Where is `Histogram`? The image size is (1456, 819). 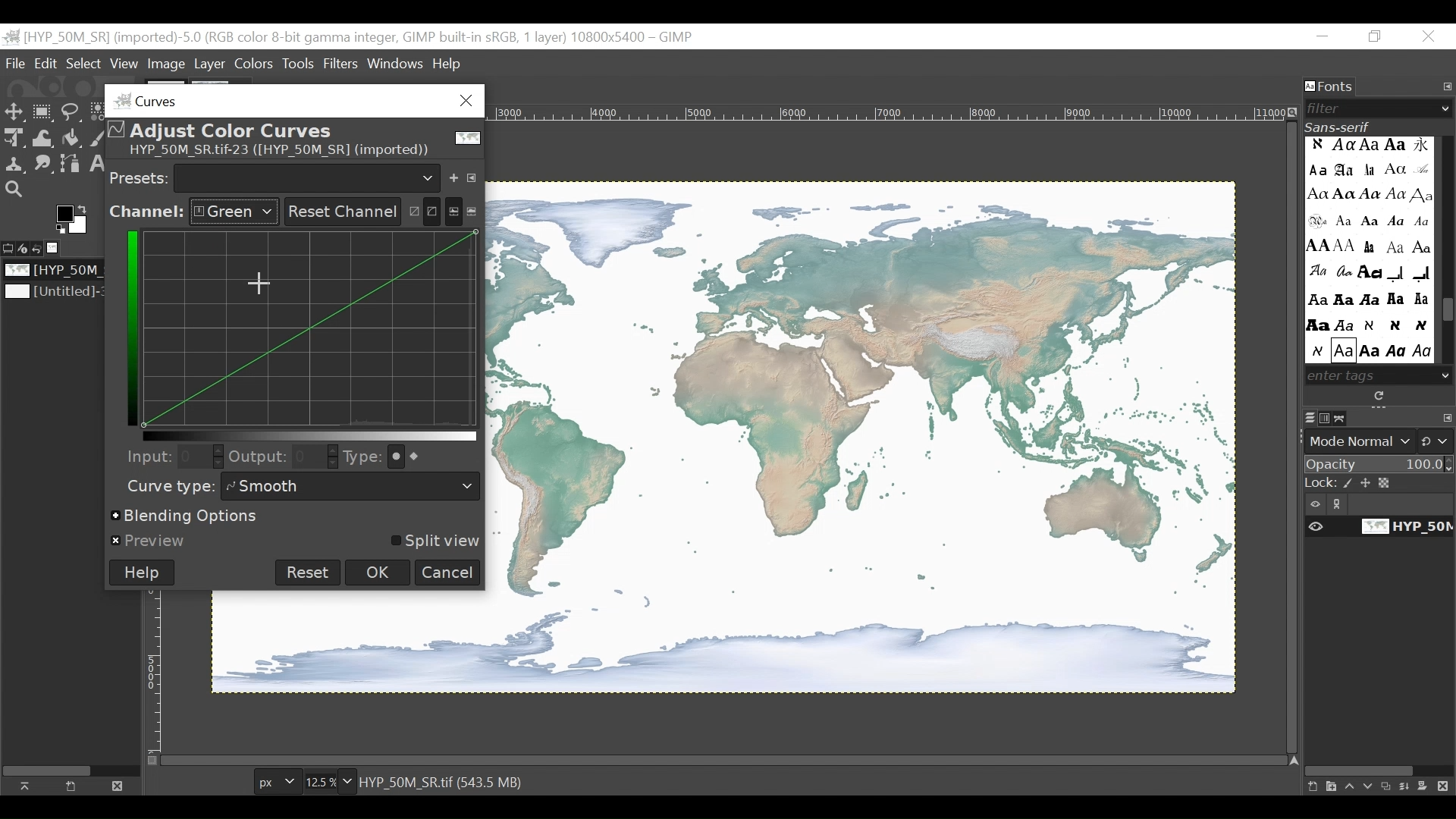 Histogram is located at coordinates (463, 210).